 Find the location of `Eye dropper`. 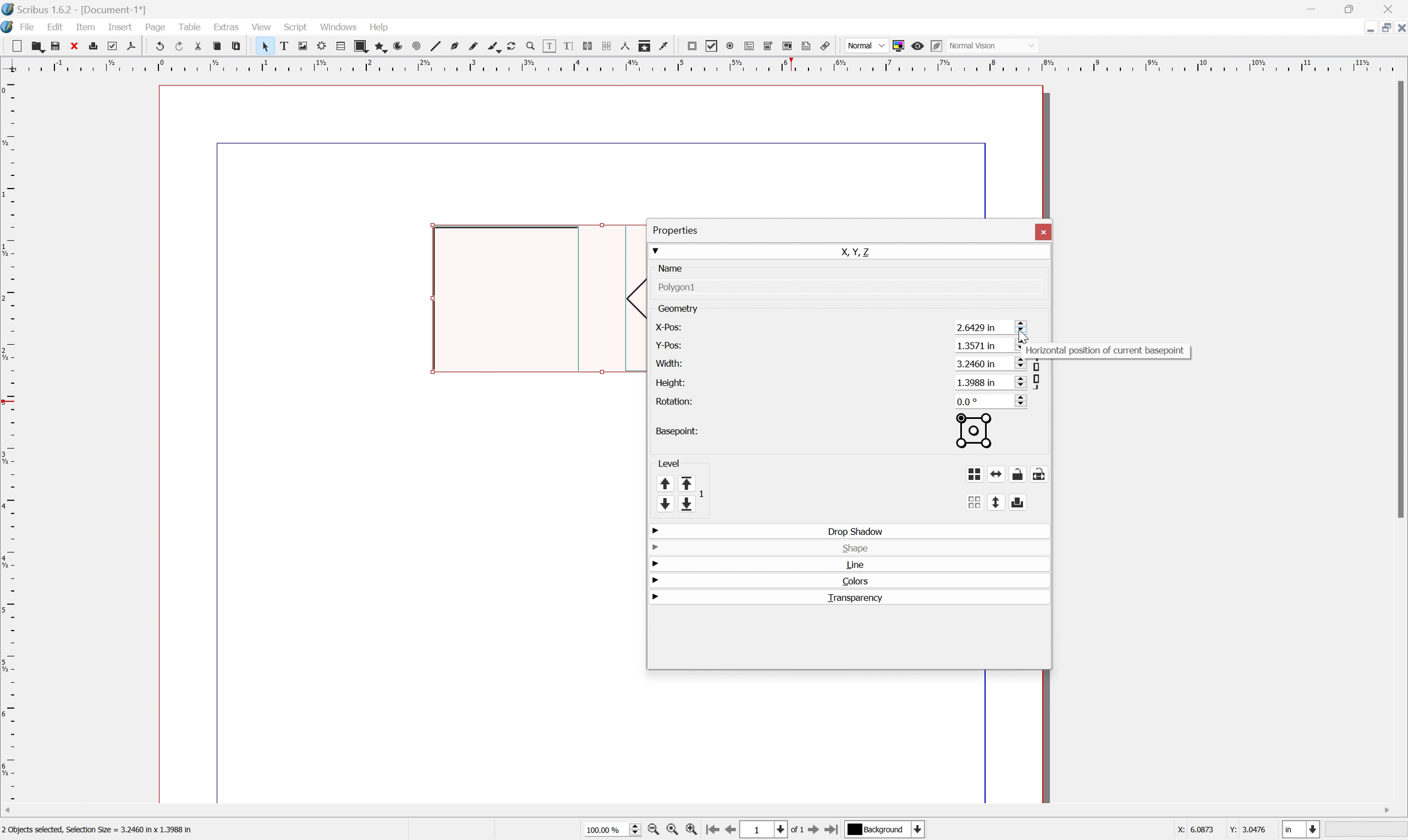

Eye dropper is located at coordinates (664, 45).